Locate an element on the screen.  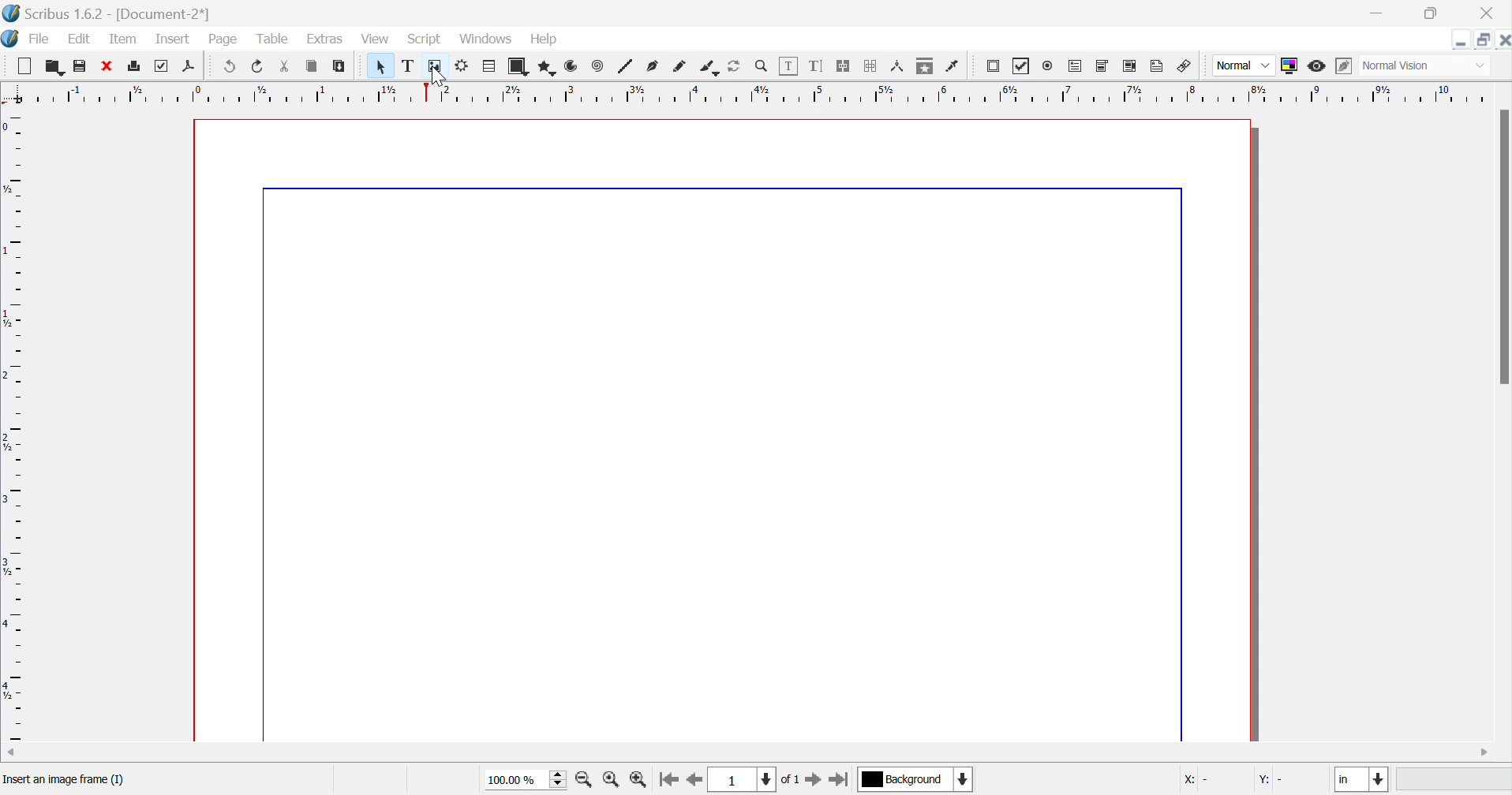
cursor is located at coordinates (436, 78).